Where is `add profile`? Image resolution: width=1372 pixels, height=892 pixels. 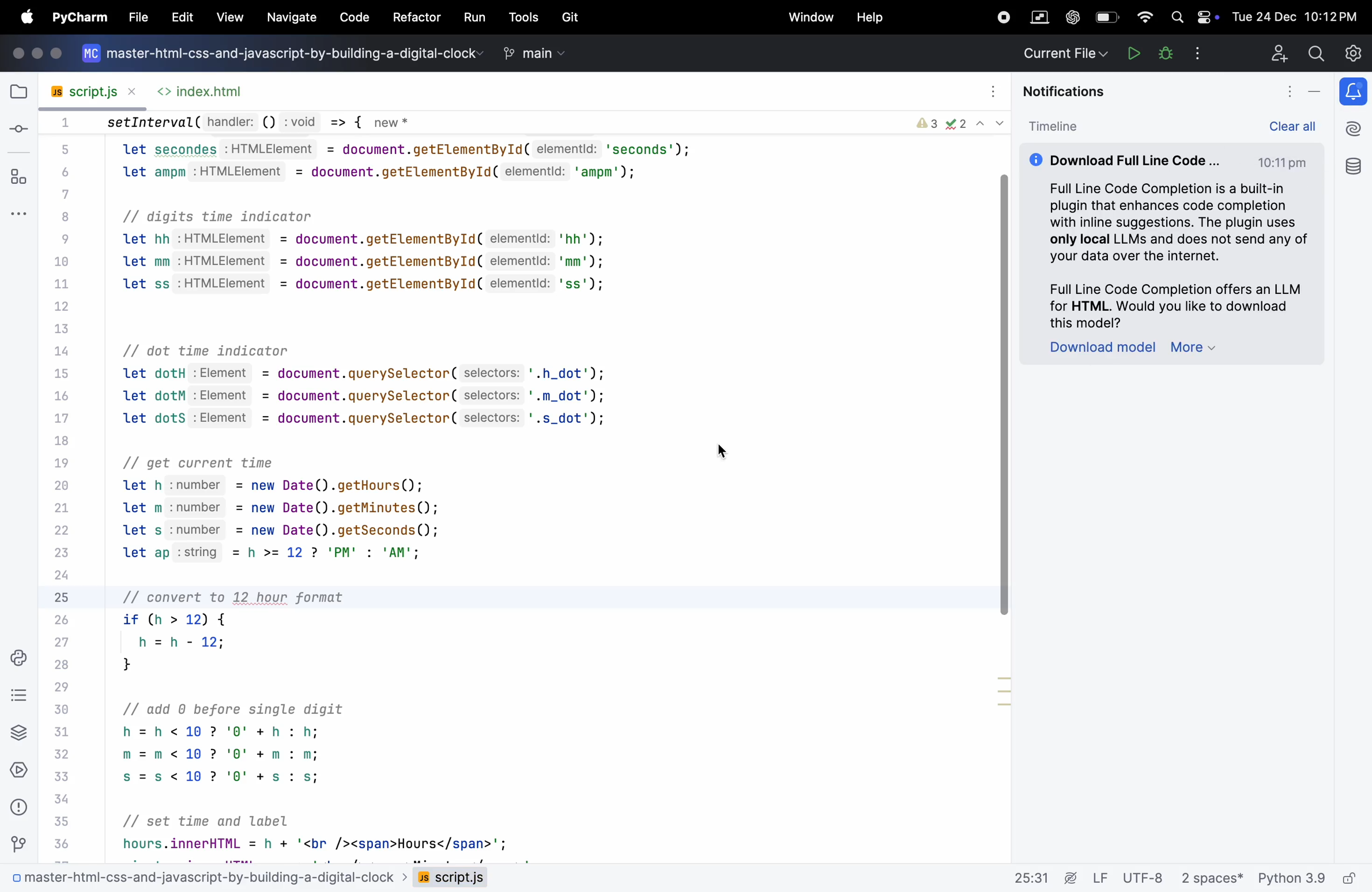
add profile is located at coordinates (1279, 52).